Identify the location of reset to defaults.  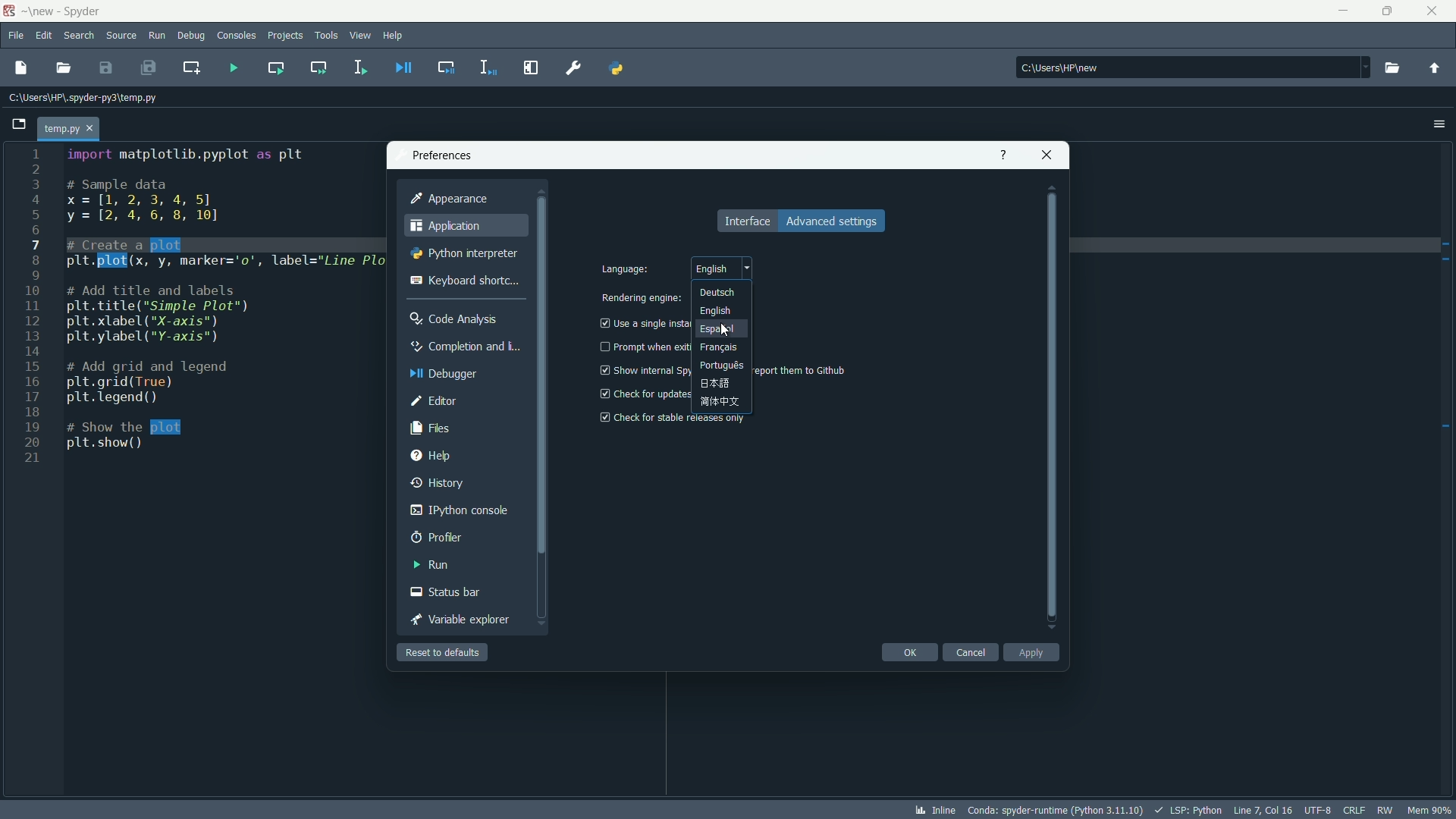
(444, 652).